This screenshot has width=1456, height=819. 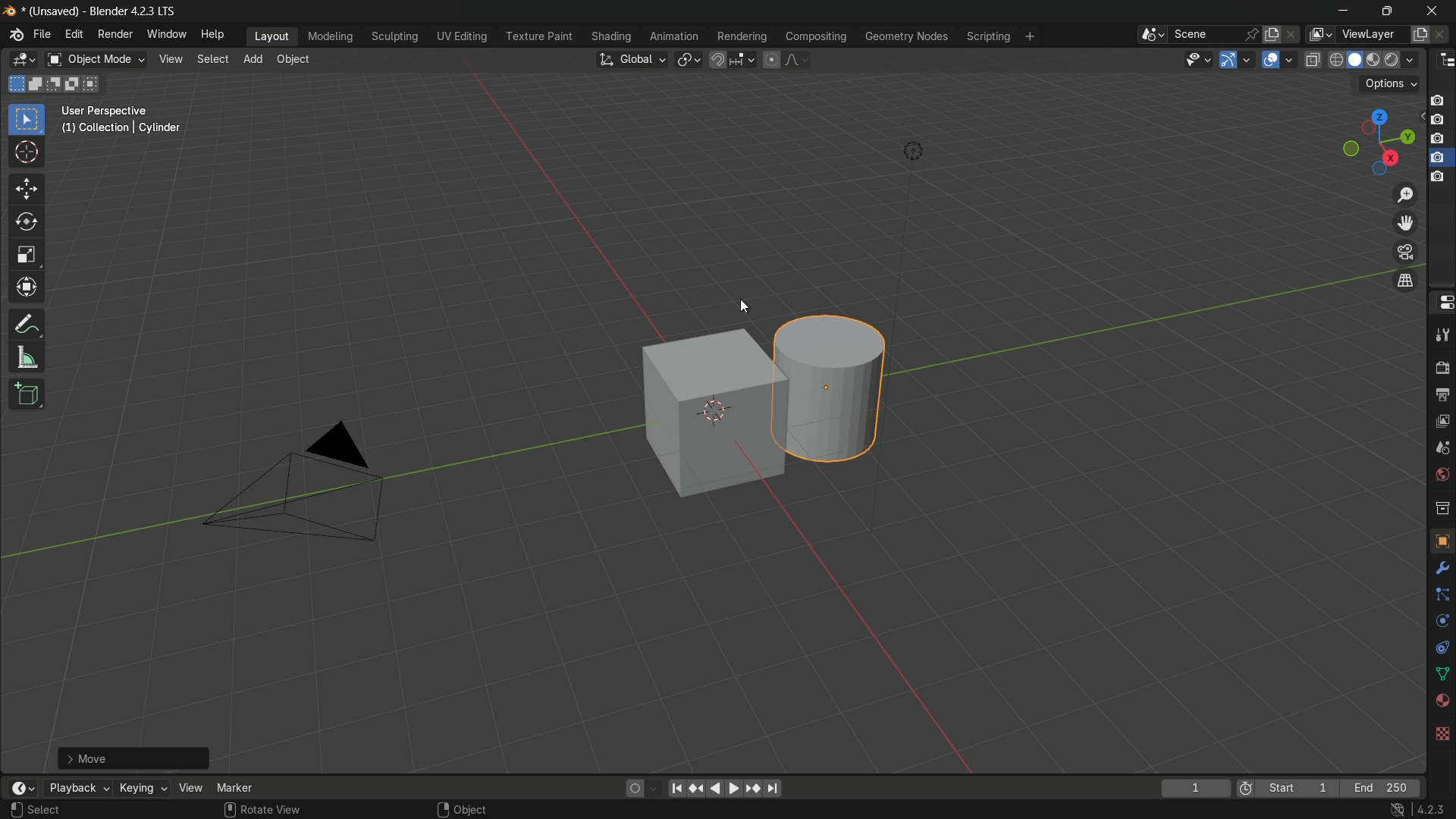 What do you see at coordinates (1439, 121) in the screenshot?
I see `capture` at bounding box center [1439, 121].